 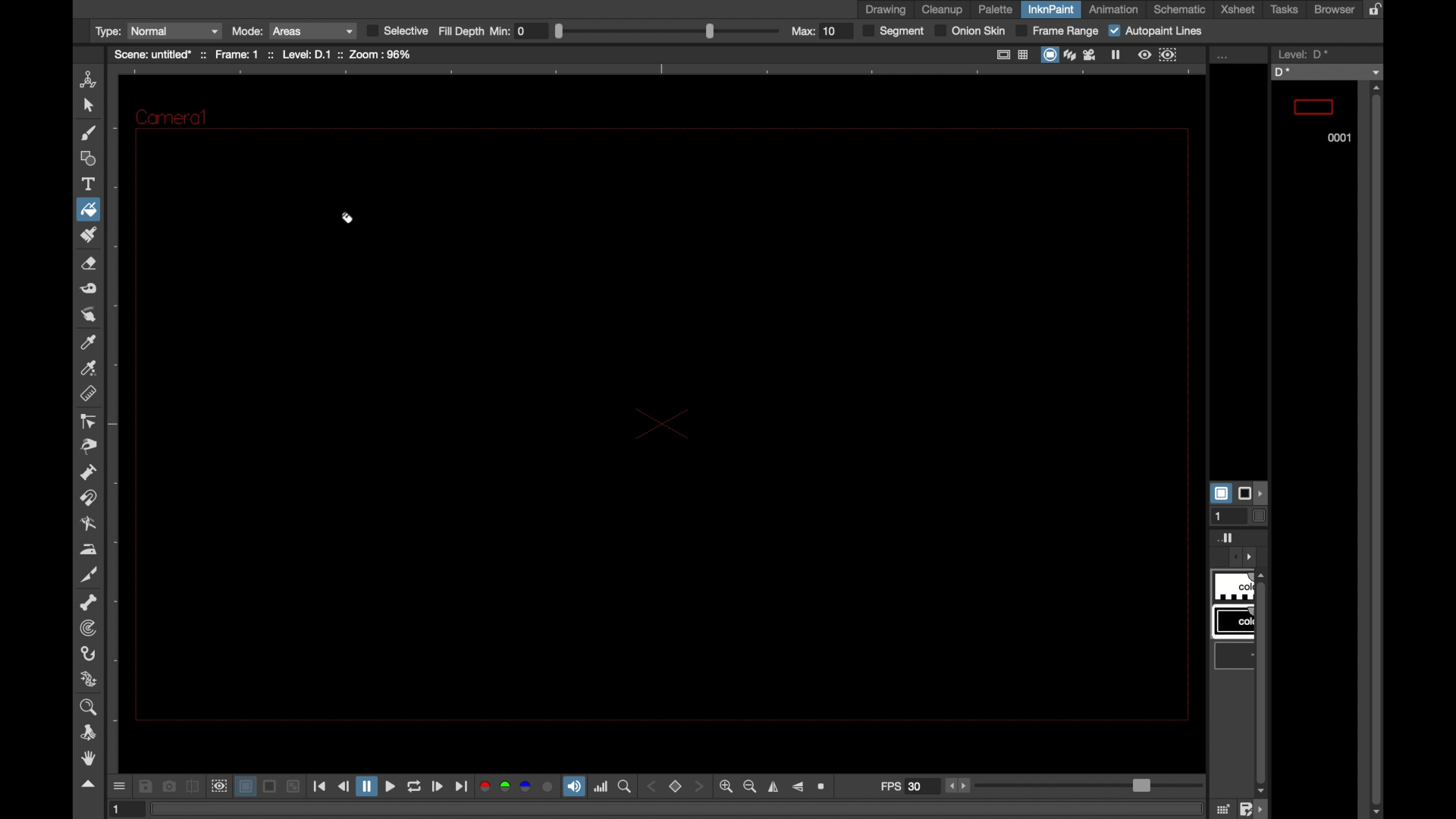 What do you see at coordinates (438, 786) in the screenshot?
I see `next frame` at bounding box center [438, 786].